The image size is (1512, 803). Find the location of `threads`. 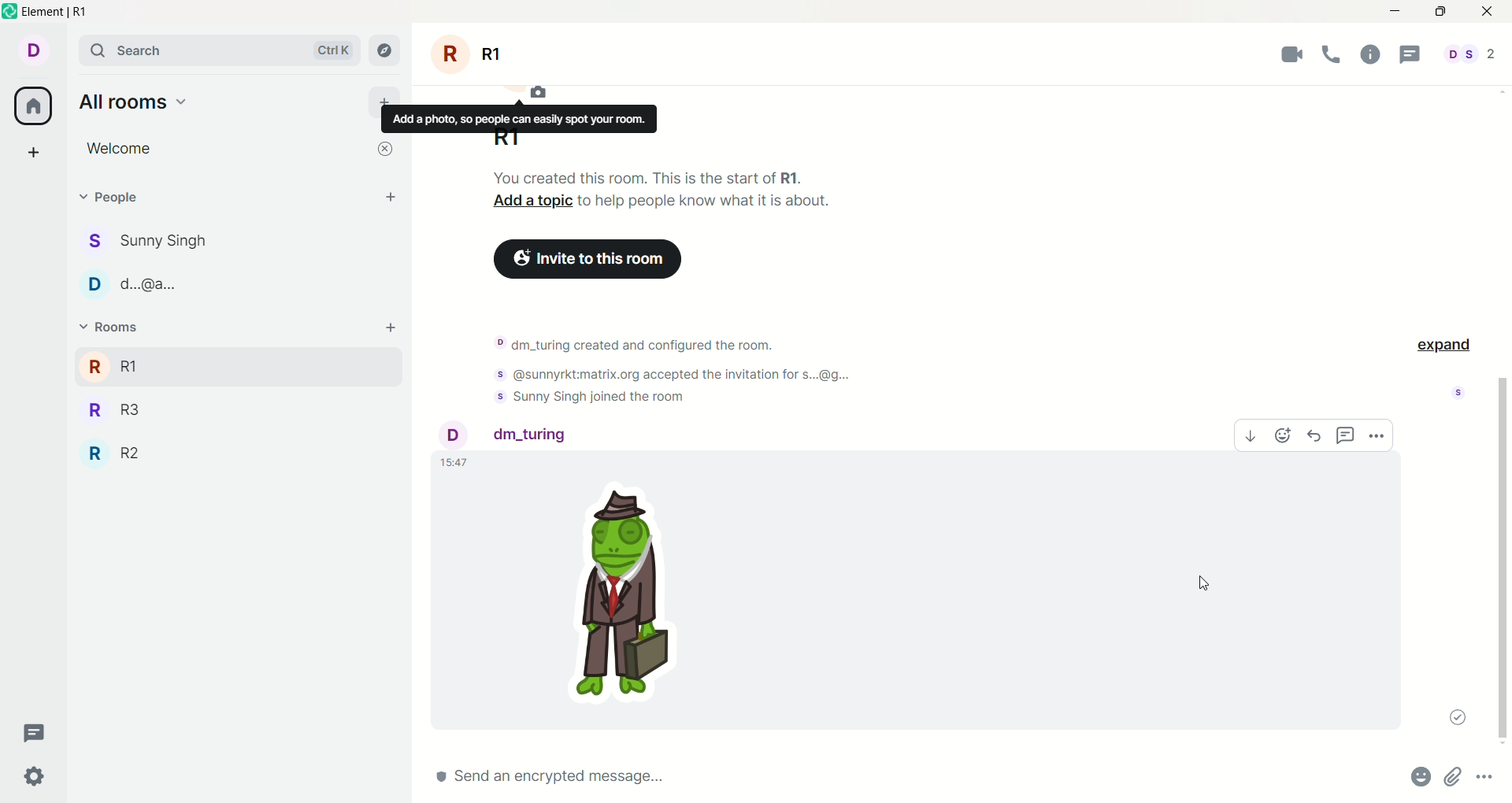

threads is located at coordinates (1346, 435).